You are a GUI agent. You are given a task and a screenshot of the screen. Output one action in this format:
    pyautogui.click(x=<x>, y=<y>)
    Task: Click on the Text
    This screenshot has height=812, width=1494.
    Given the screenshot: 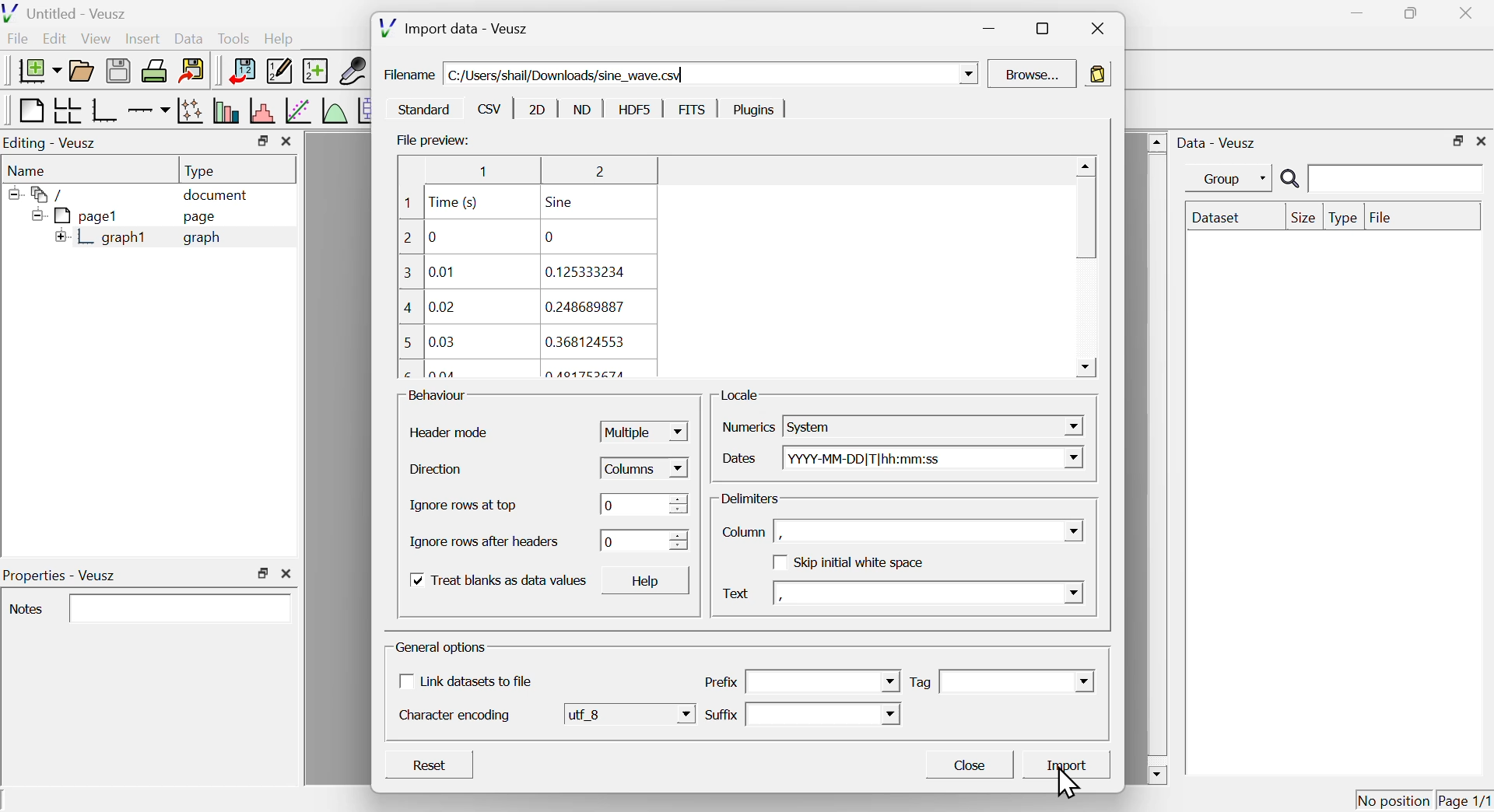 What is the action you would take?
    pyautogui.click(x=736, y=596)
    